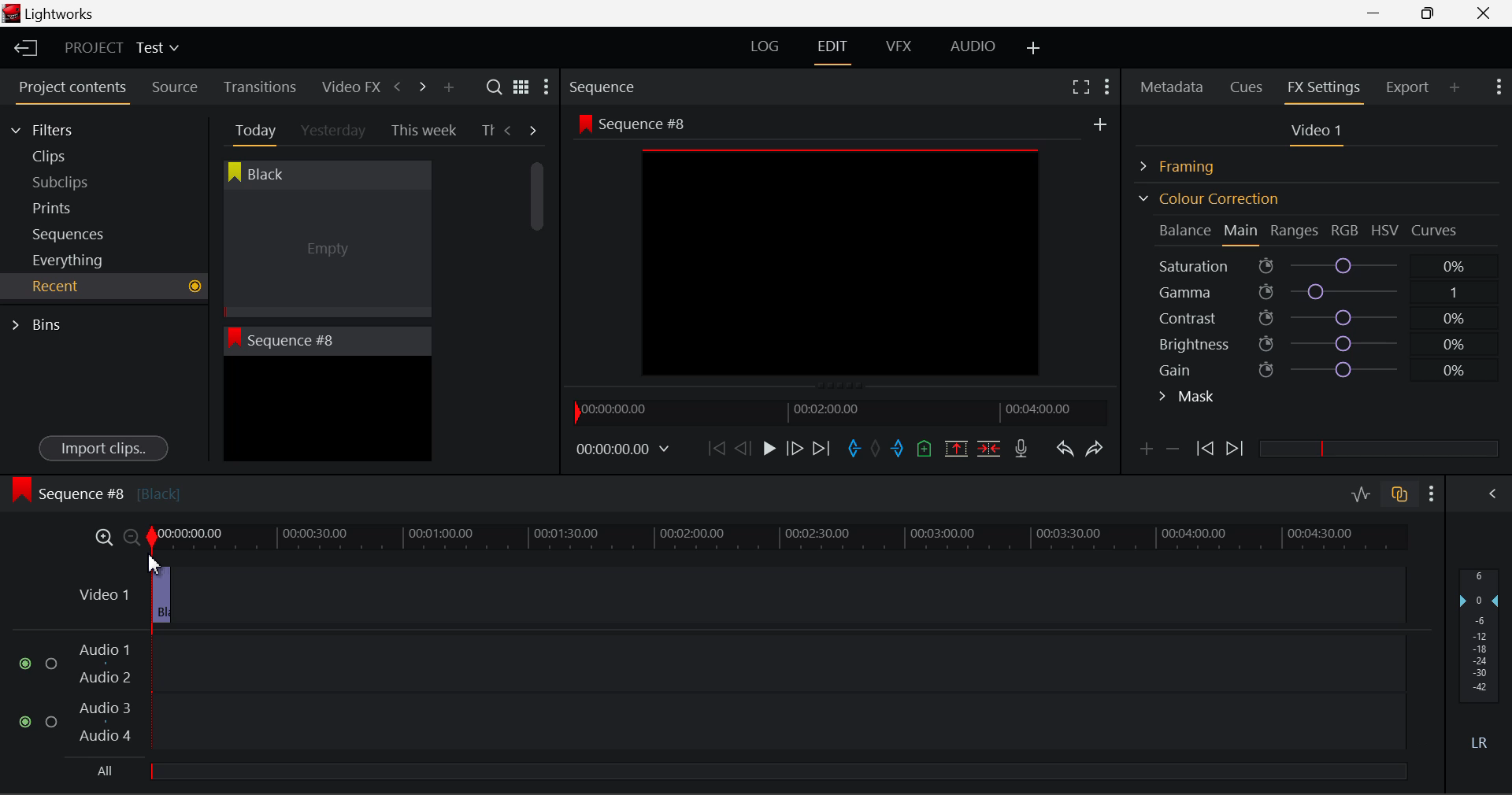 Image resolution: width=1512 pixels, height=795 pixels. I want to click on Show Audio Mix, so click(1494, 492).